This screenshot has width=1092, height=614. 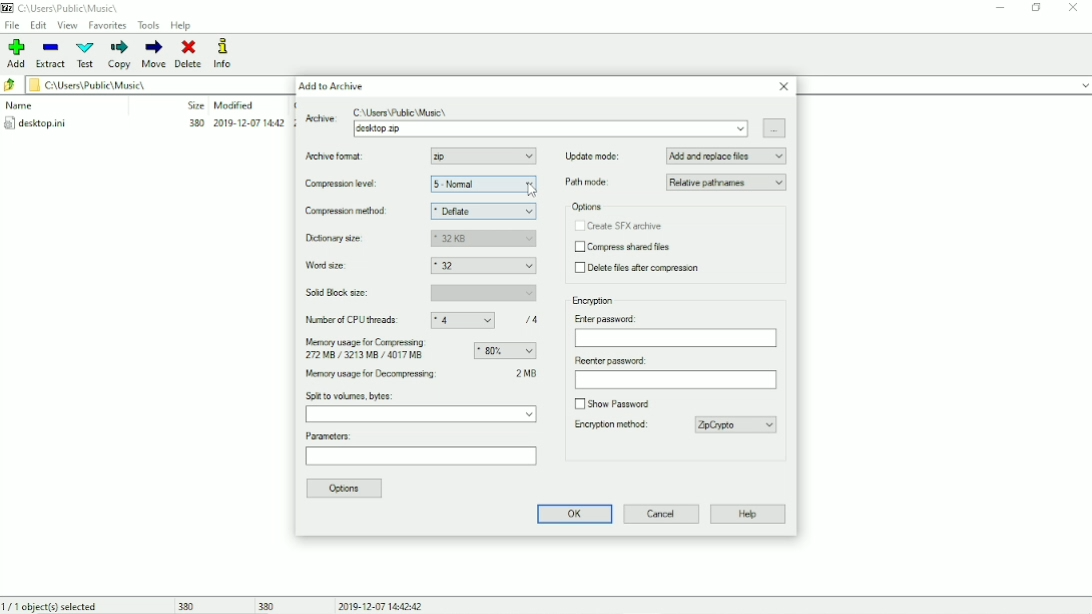 What do you see at coordinates (675, 183) in the screenshot?
I see `Path mode` at bounding box center [675, 183].